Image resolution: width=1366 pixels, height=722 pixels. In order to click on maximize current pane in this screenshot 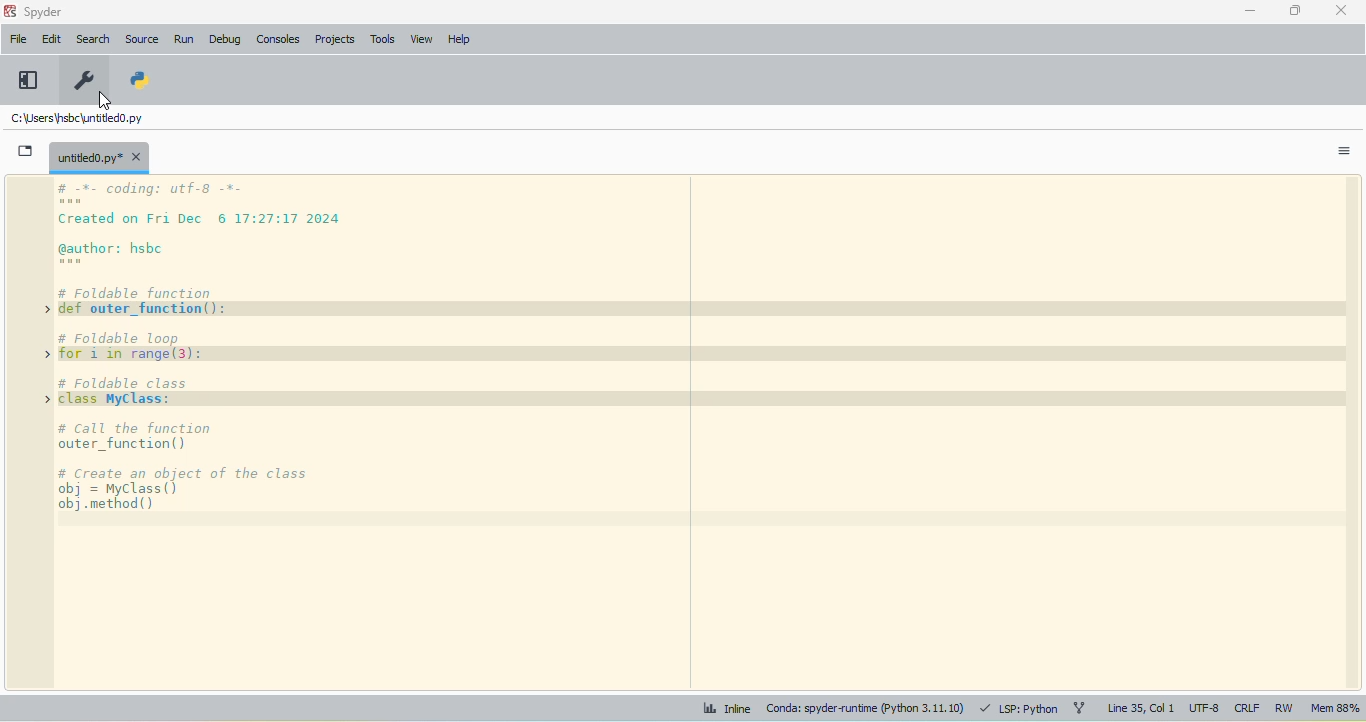, I will do `click(28, 80)`.